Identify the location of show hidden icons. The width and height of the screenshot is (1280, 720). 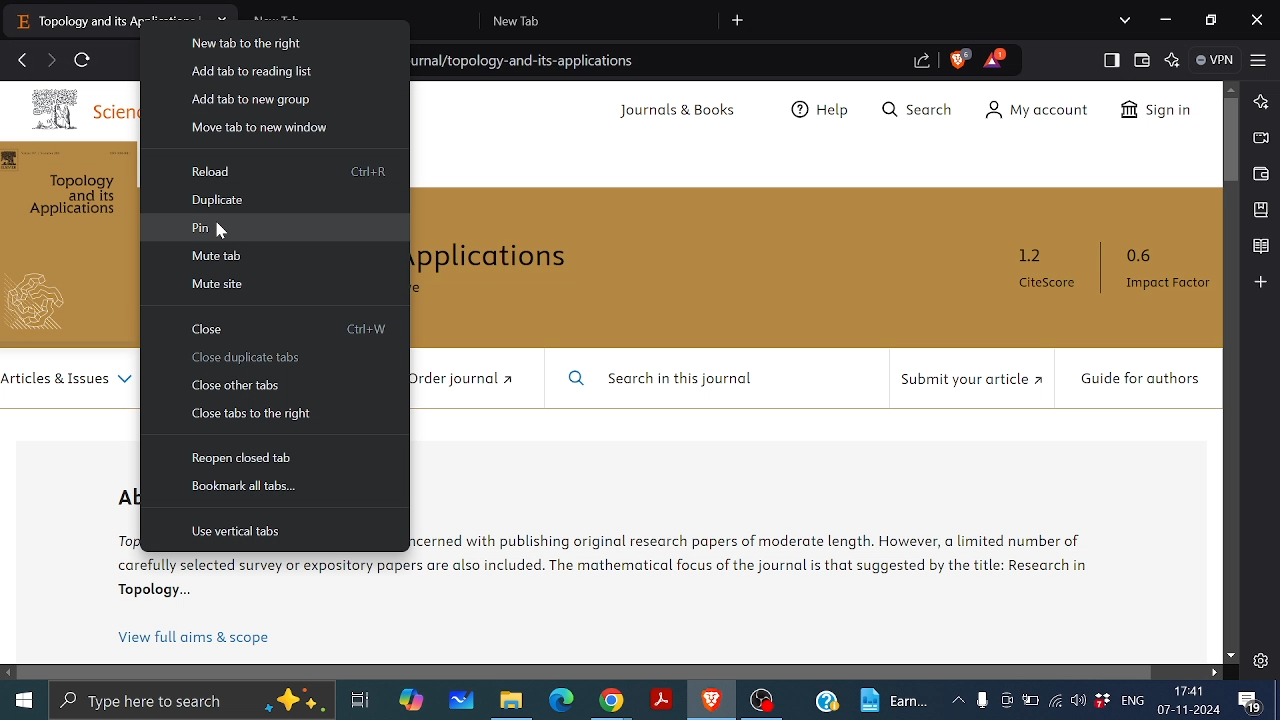
(958, 701).